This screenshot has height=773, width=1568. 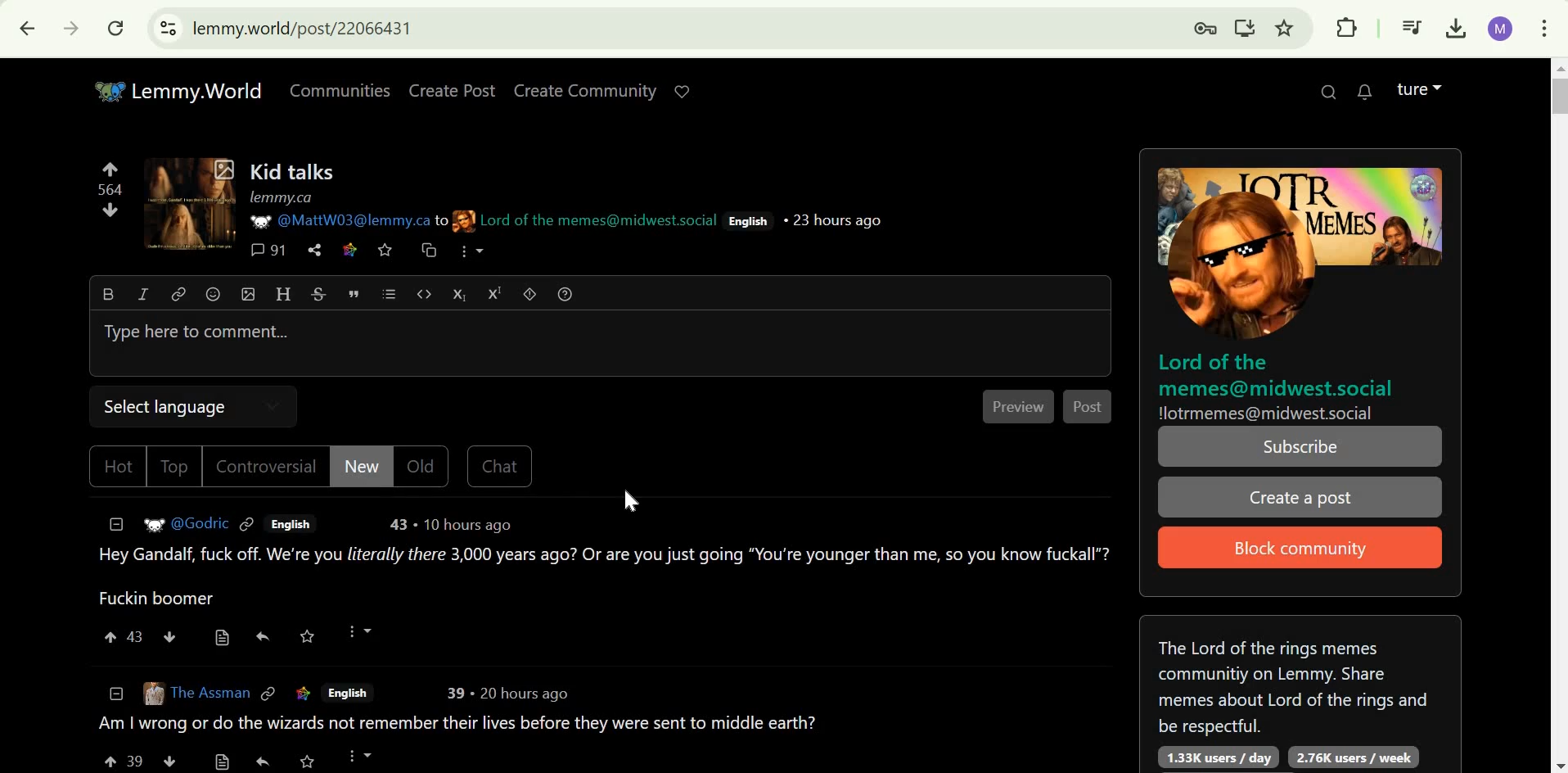 What do you see at coordinates (281, 197) in the screenshot?
I see `lemmy.ca` at bounding box center [281, 197].